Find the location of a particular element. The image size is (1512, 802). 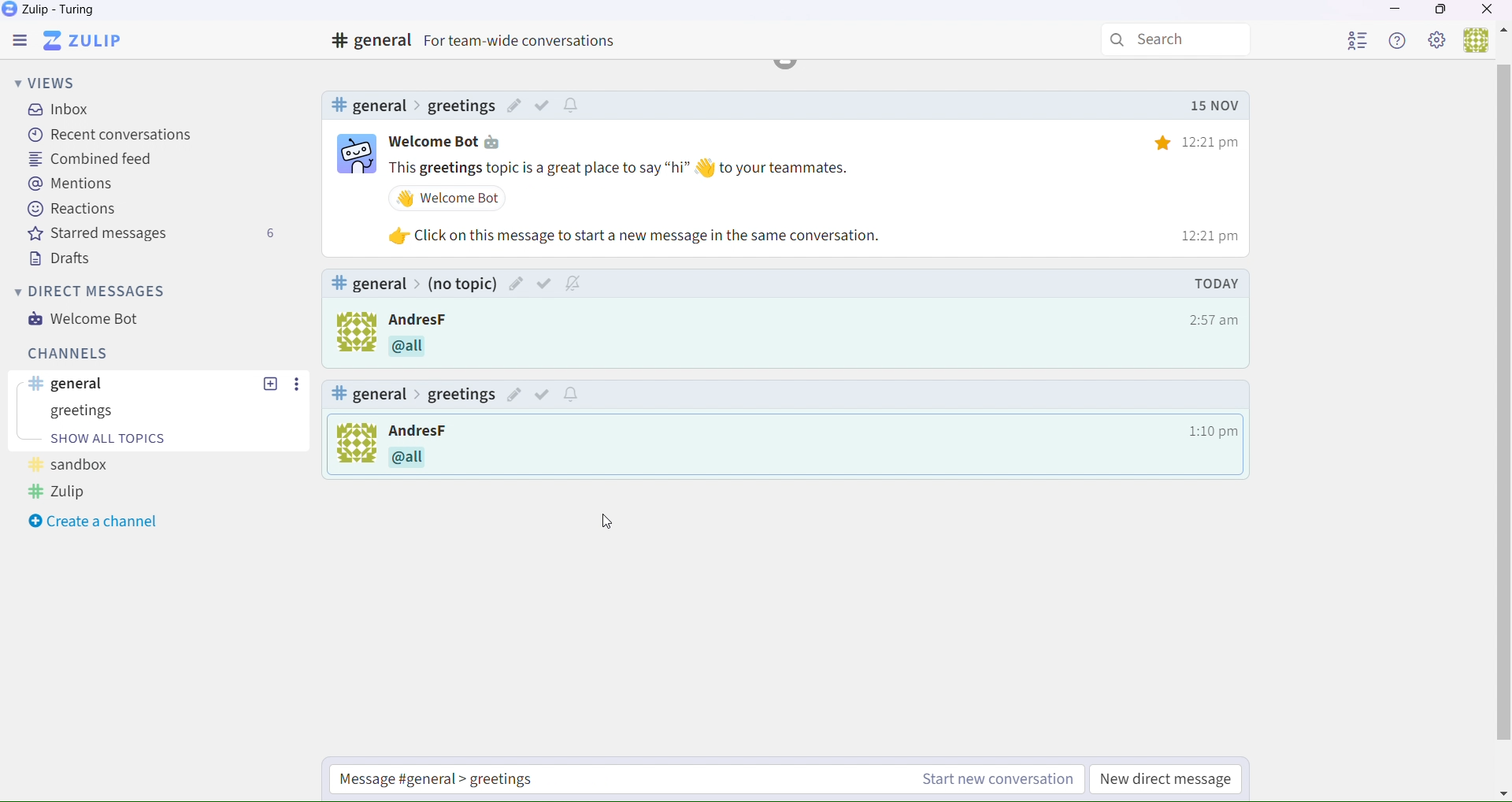

#general is located at coordinates (487, 41).